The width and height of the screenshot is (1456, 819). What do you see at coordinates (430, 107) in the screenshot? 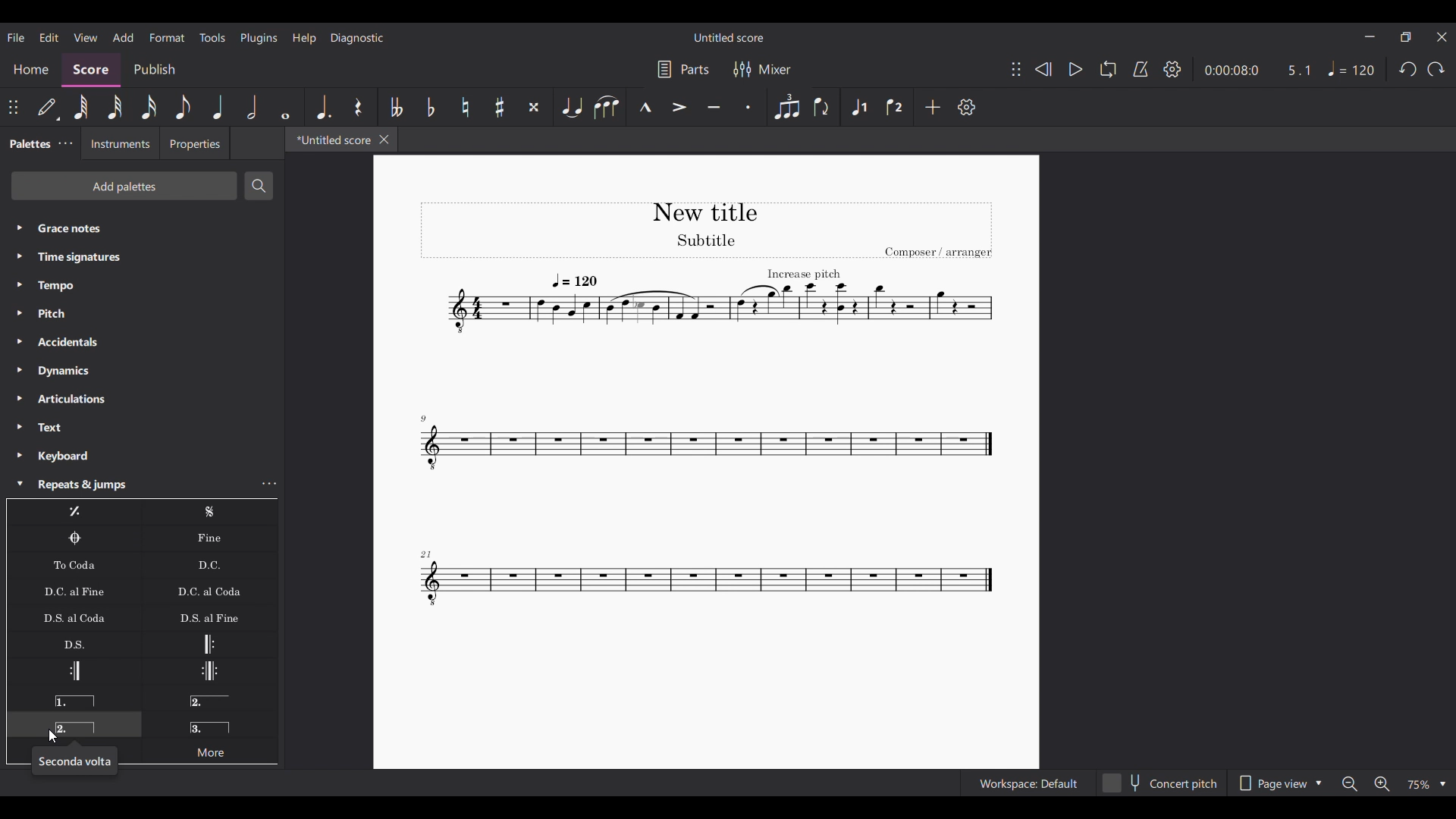
I see `Toggle flat` at bounding box center [430, 107].